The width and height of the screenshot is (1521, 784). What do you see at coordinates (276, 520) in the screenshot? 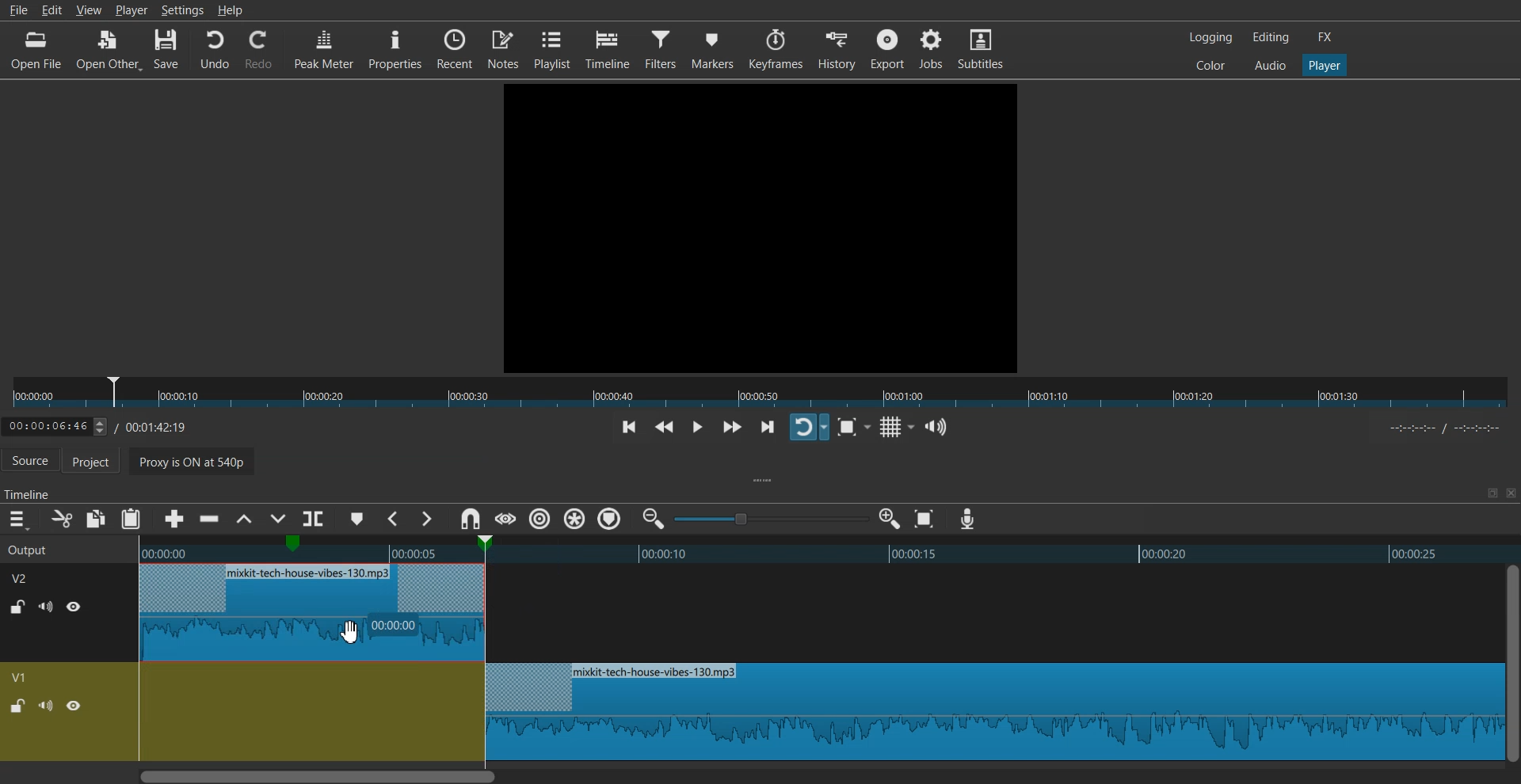
I see `Overwrite` at bounding box center [276, 520].